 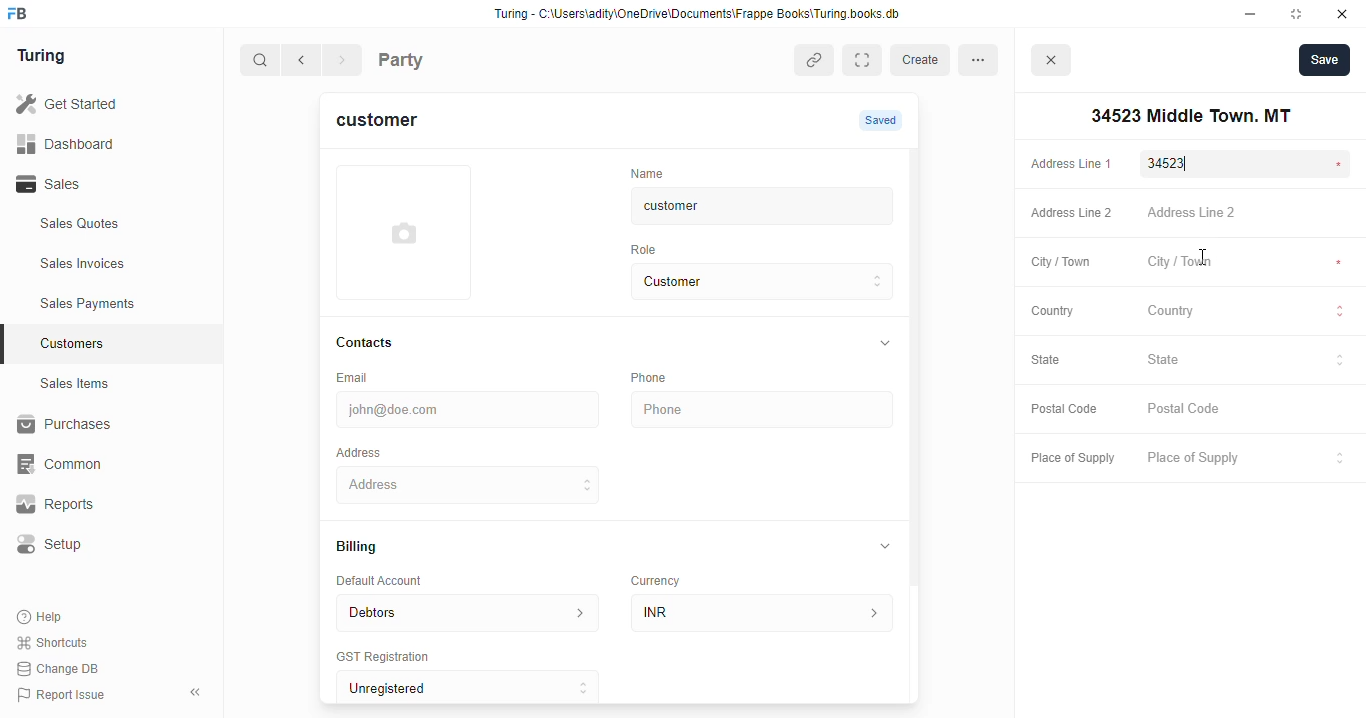 I want to click on Dashboard, so click(x=95, y=143).